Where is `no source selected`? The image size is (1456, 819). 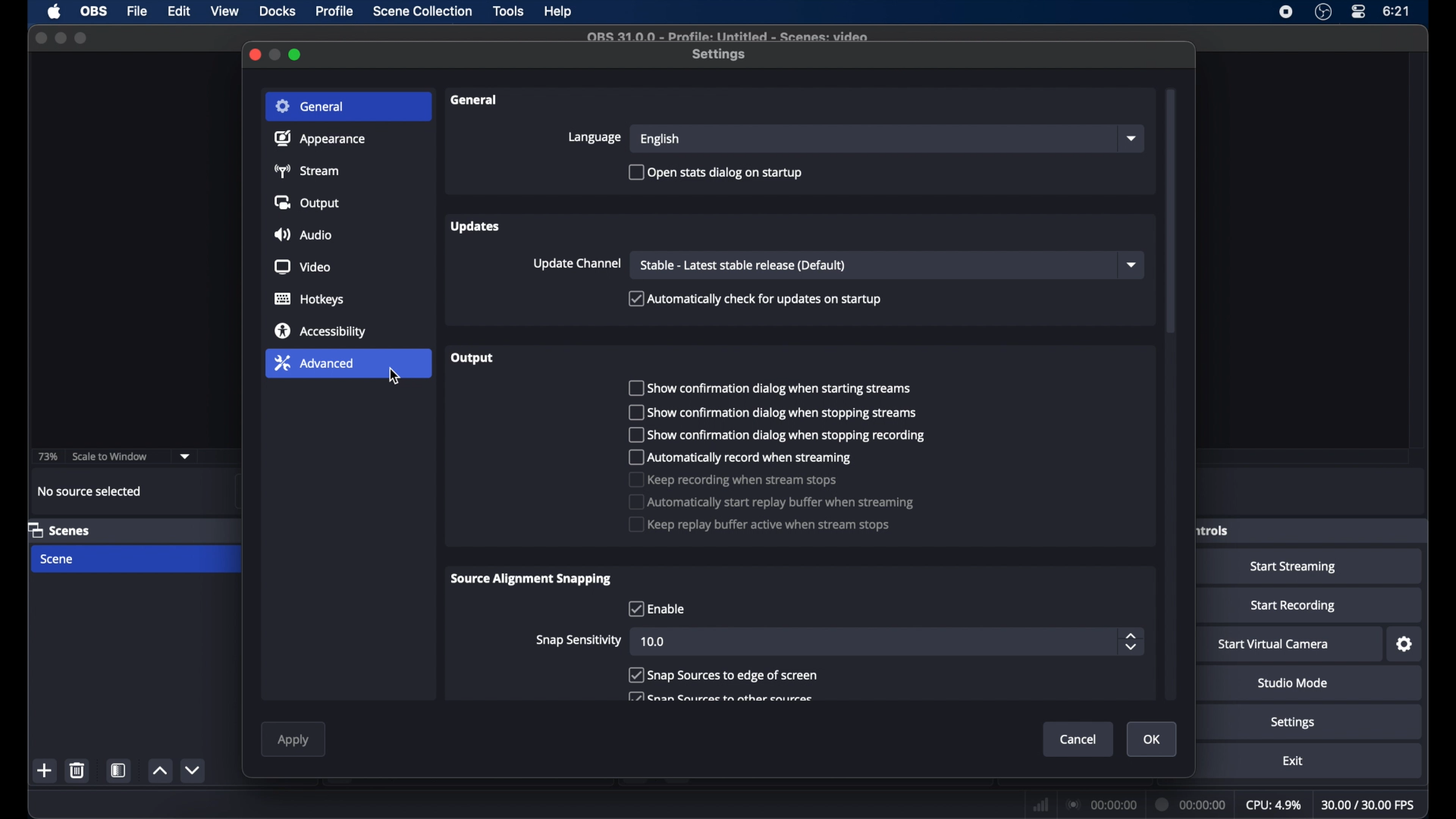
no source selected is located at coordinates (90, 491).